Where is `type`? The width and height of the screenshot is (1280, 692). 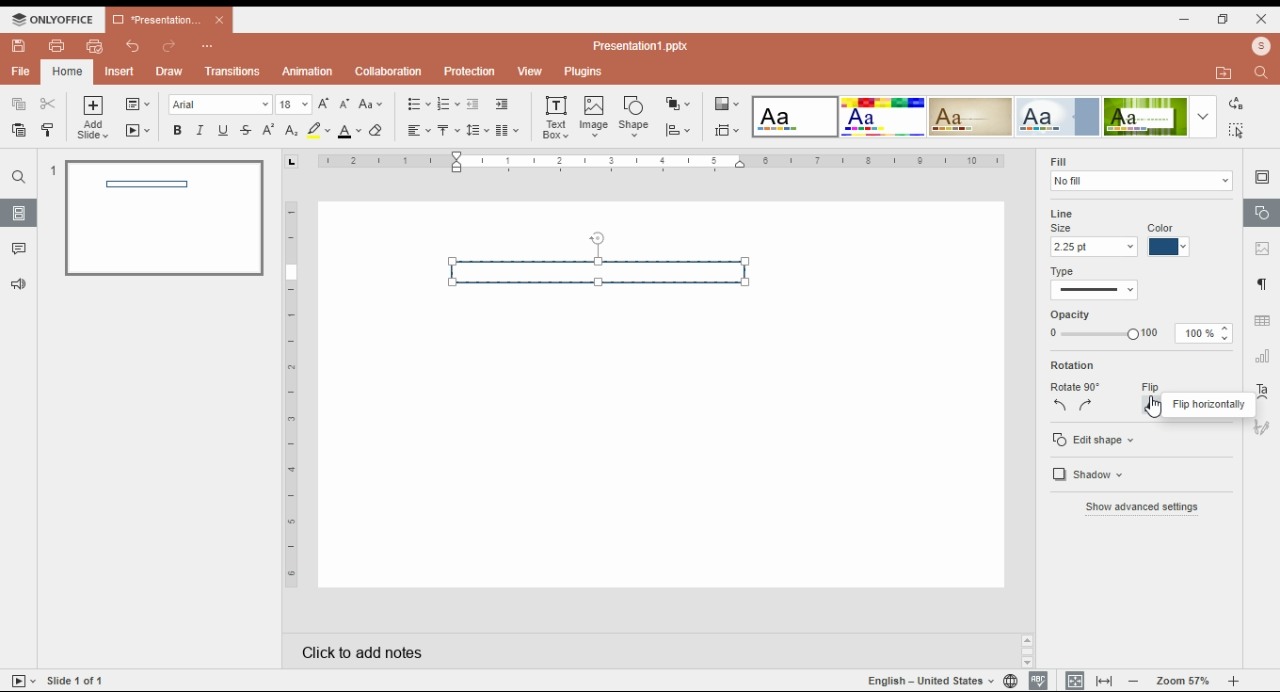 type is located at coordinates (1064, 272).